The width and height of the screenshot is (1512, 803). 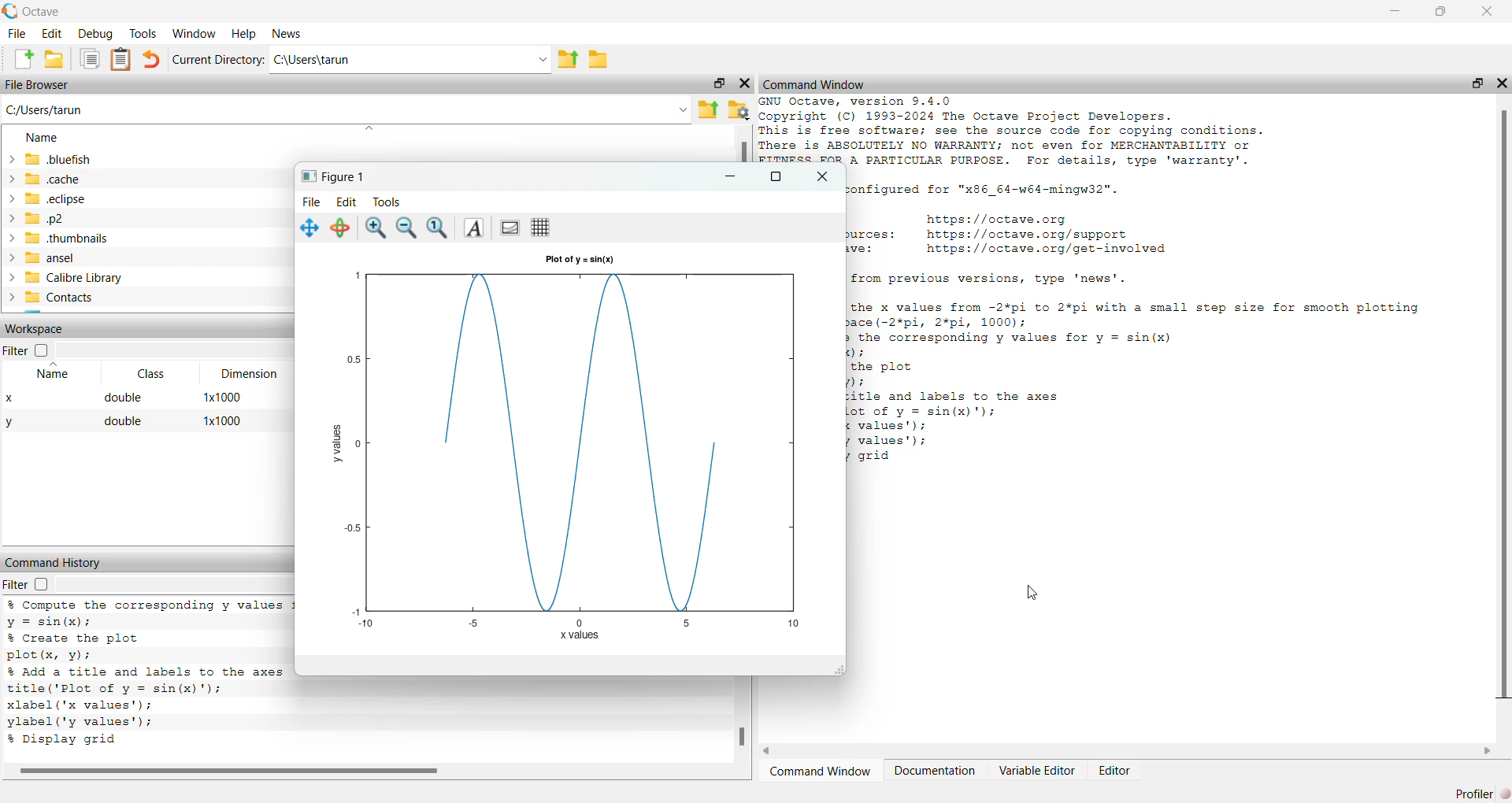 I want to click on the x values from -2¥pi to 2*pi with a small step size for smooth plotting
ace (-2%*pi, 2%*pi, 1000);, so click(x=1134, y=314).